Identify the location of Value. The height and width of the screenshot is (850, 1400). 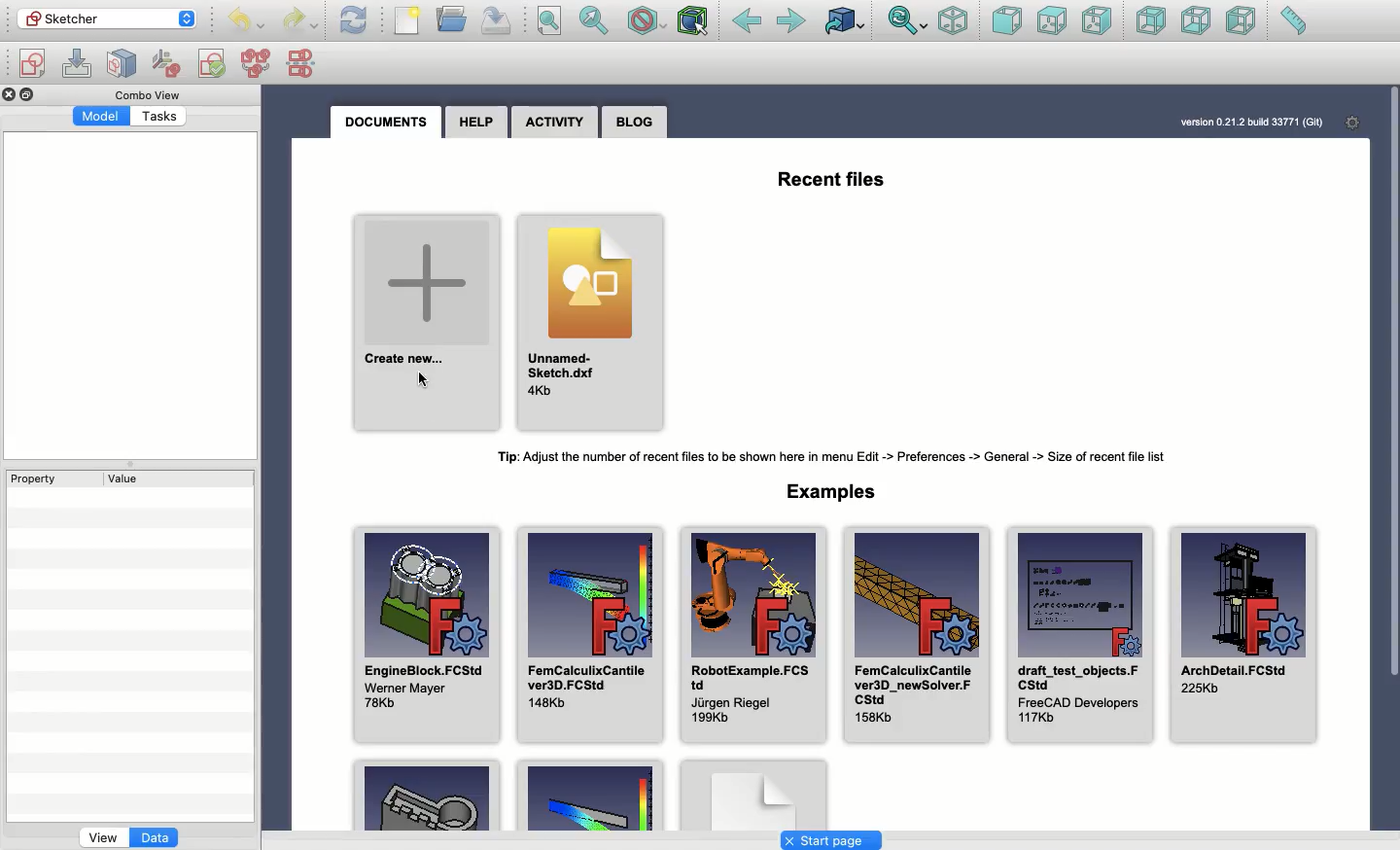
(130, 478).